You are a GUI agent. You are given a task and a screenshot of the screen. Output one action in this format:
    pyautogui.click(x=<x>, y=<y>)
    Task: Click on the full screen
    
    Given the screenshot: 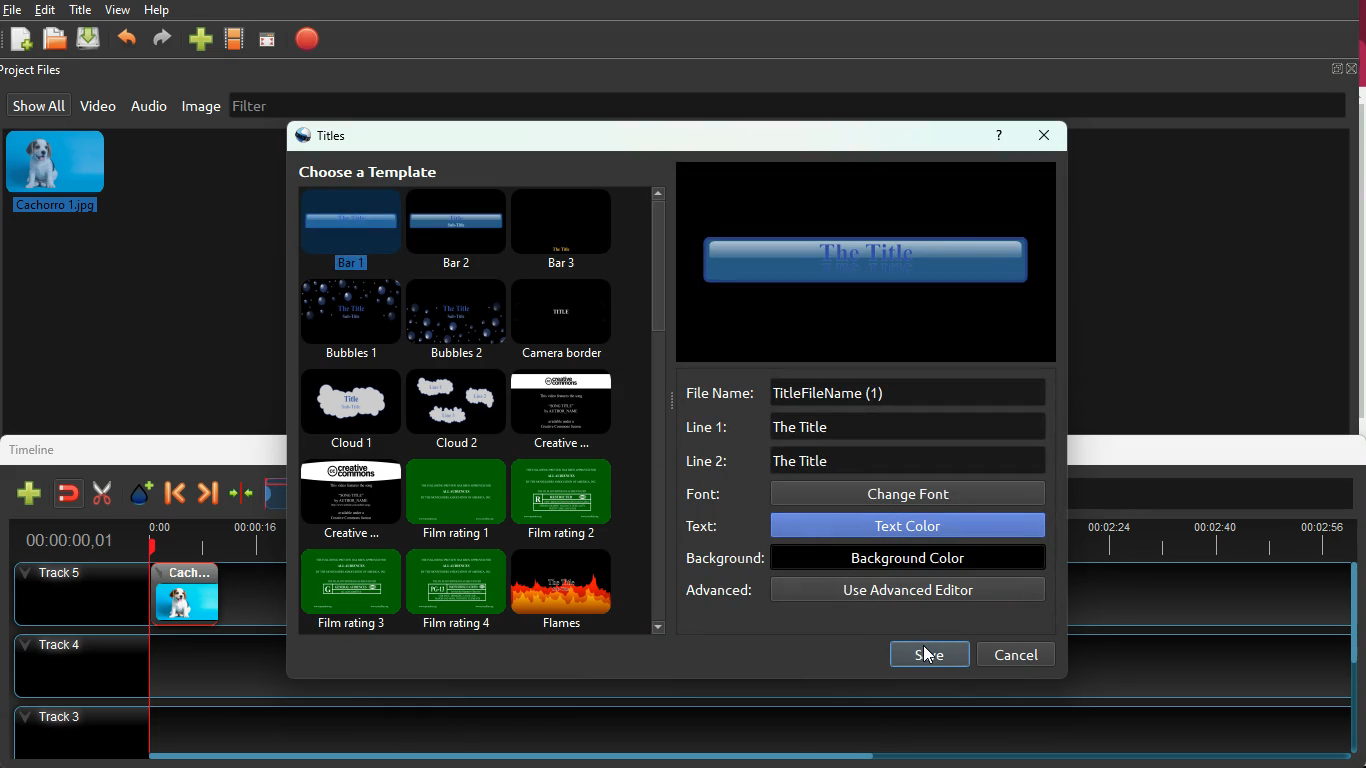 What is the action you would take?
    pyautogui.click(x=1344, y=68)
    